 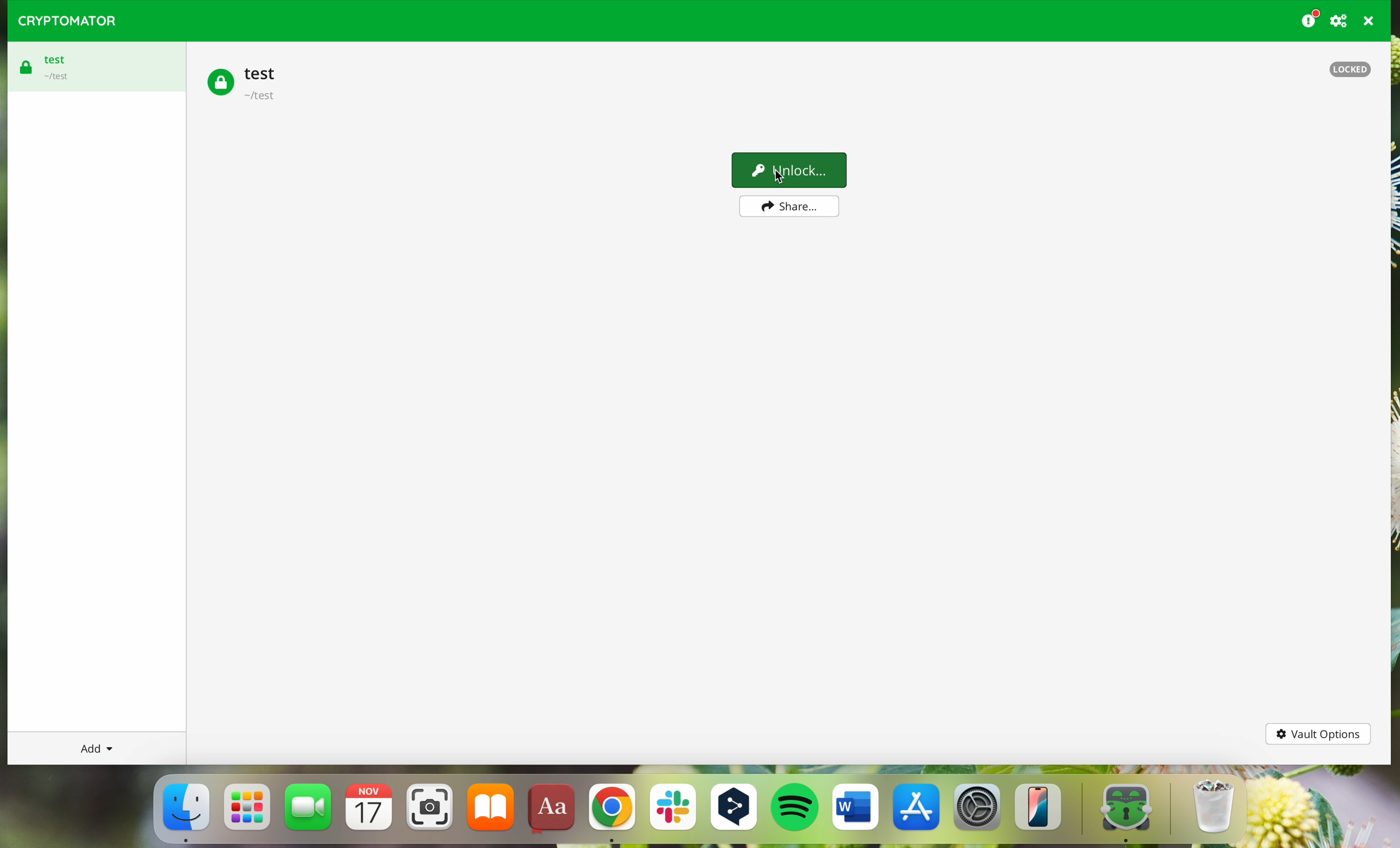 What do you see at coordinates (787, 178) in the screenshot?
I see `cursor` at bounding box center [787, 178].